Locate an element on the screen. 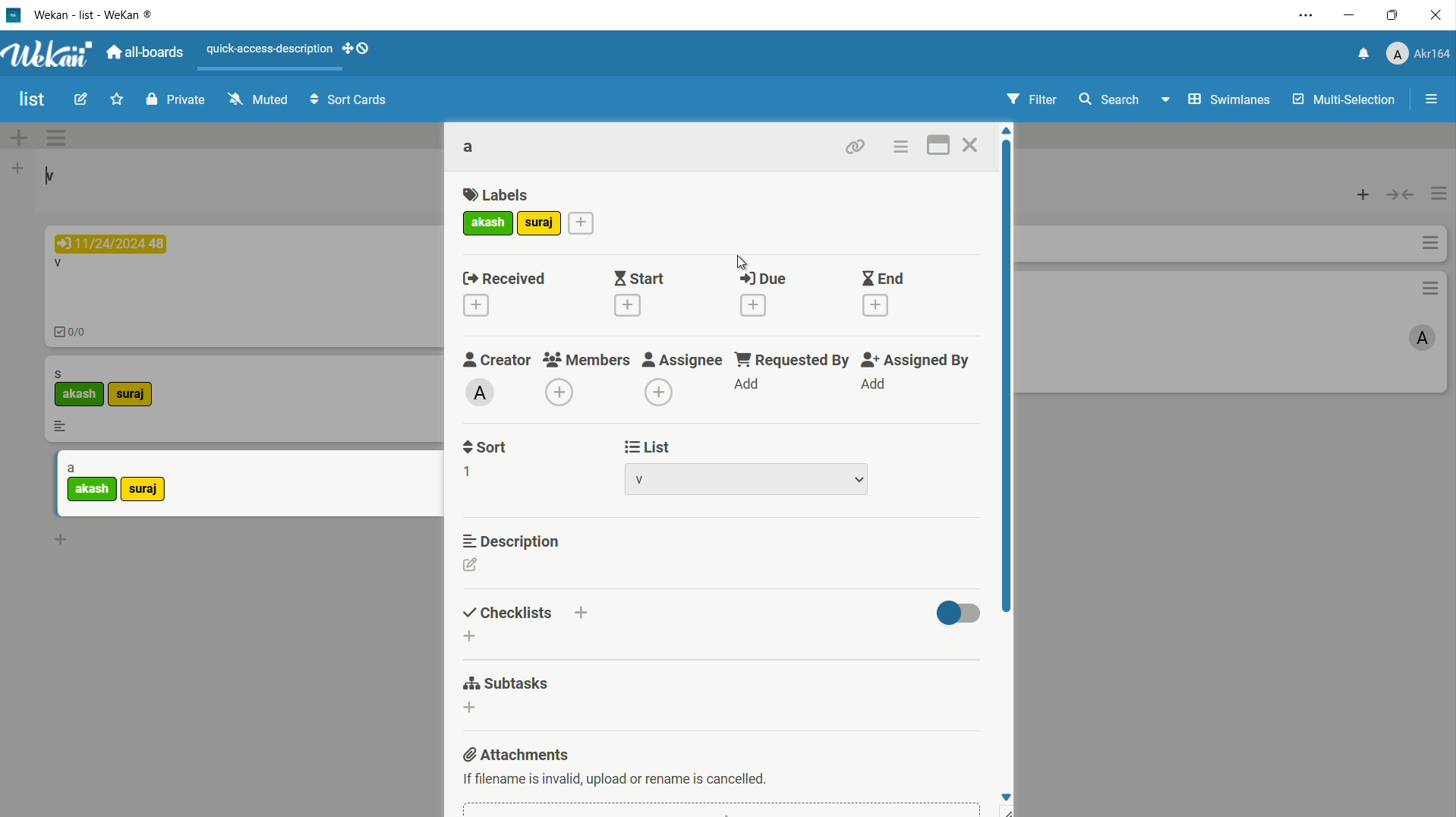  sort is located at coordinates (487, 445).